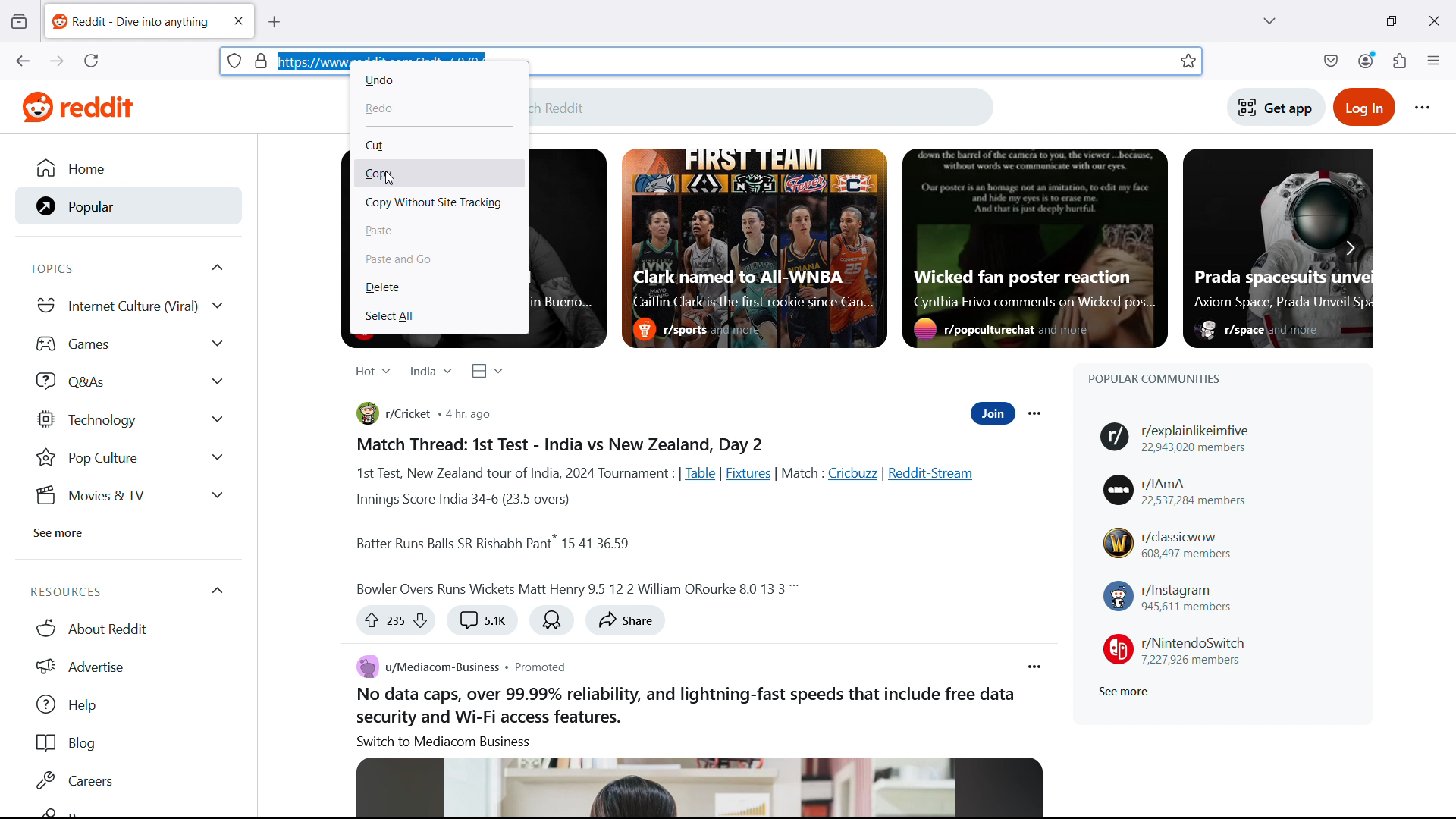  Describe the element at coordinates (131, 421) in the screenshot. I see `Technology` at that location.